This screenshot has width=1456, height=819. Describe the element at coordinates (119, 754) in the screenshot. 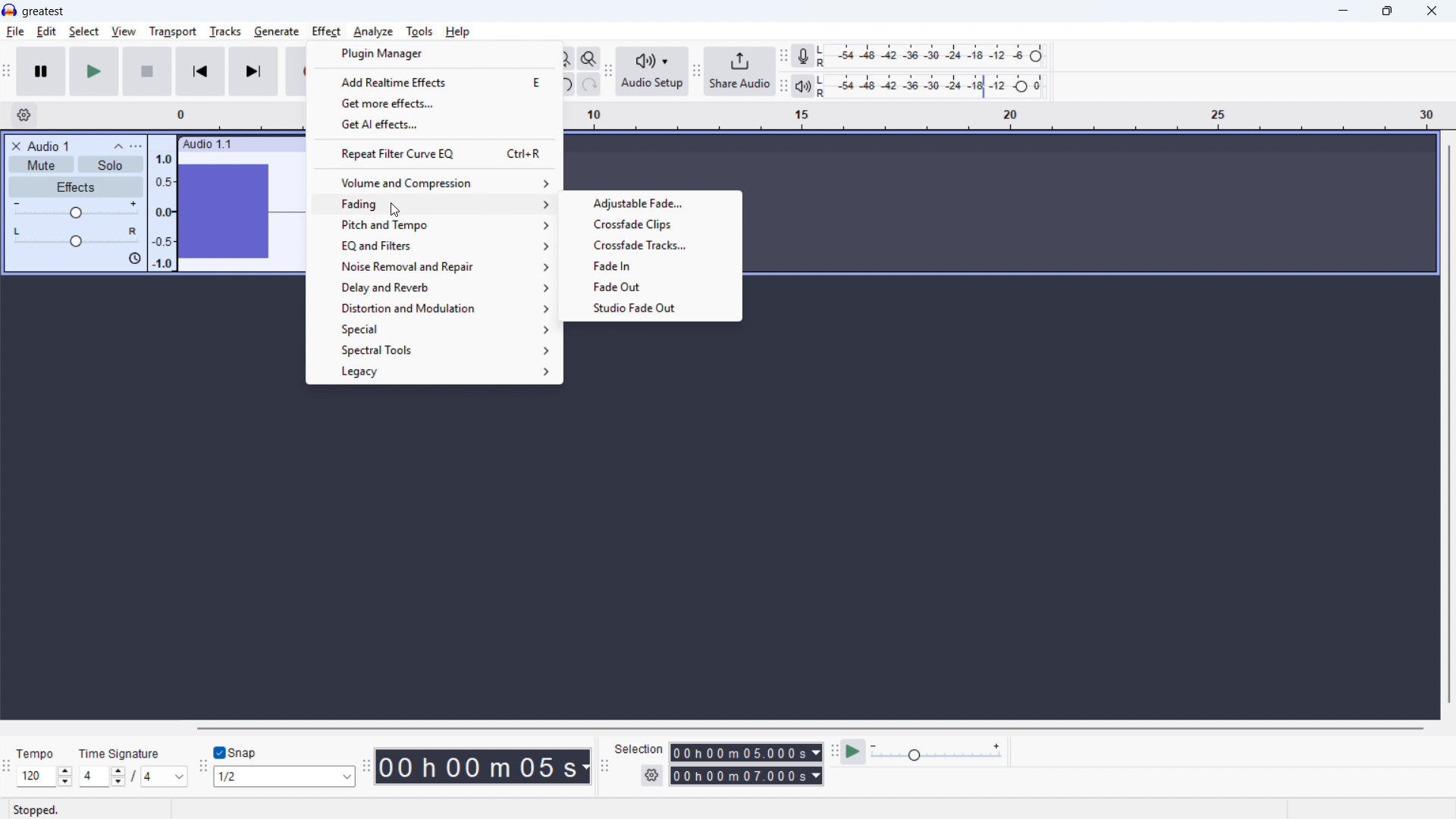

I see `` at that location.